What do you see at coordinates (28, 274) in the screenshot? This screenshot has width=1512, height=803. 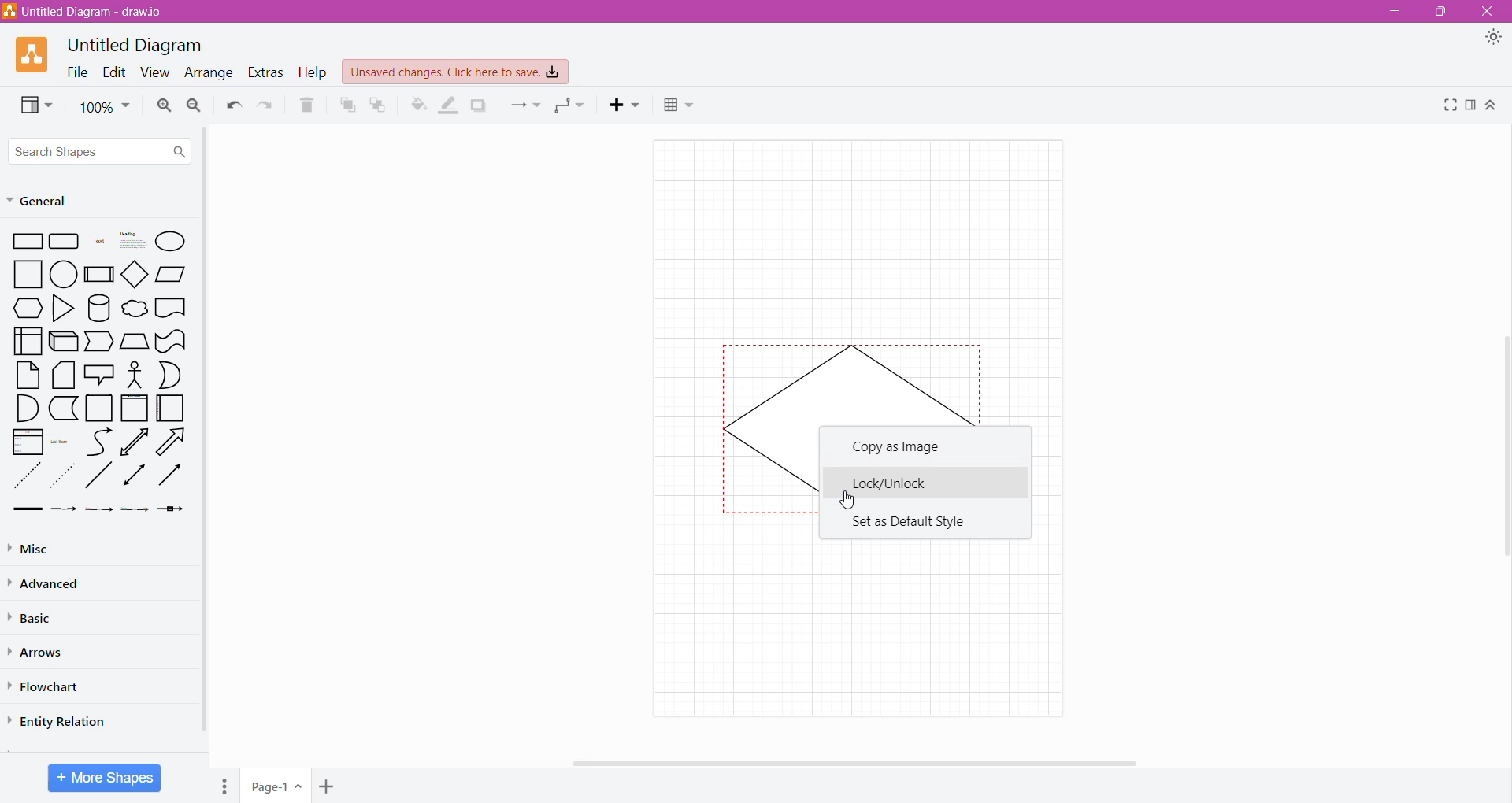 I see `Square` at bounding box center [28, 274].